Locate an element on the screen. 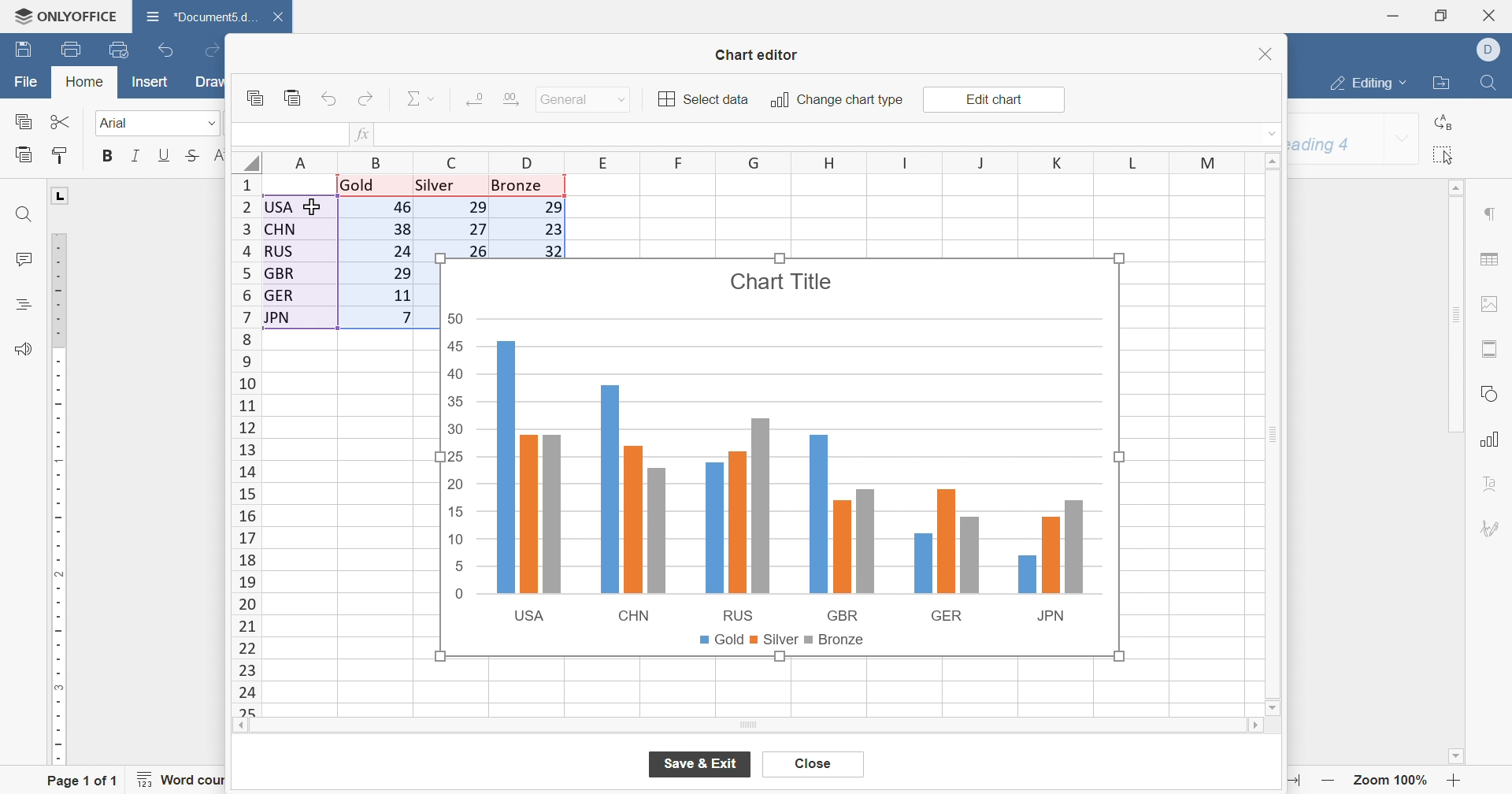 Image resolution: width=1512 pixels, height=794 pixels. Table is located at coordinates (499, 215).